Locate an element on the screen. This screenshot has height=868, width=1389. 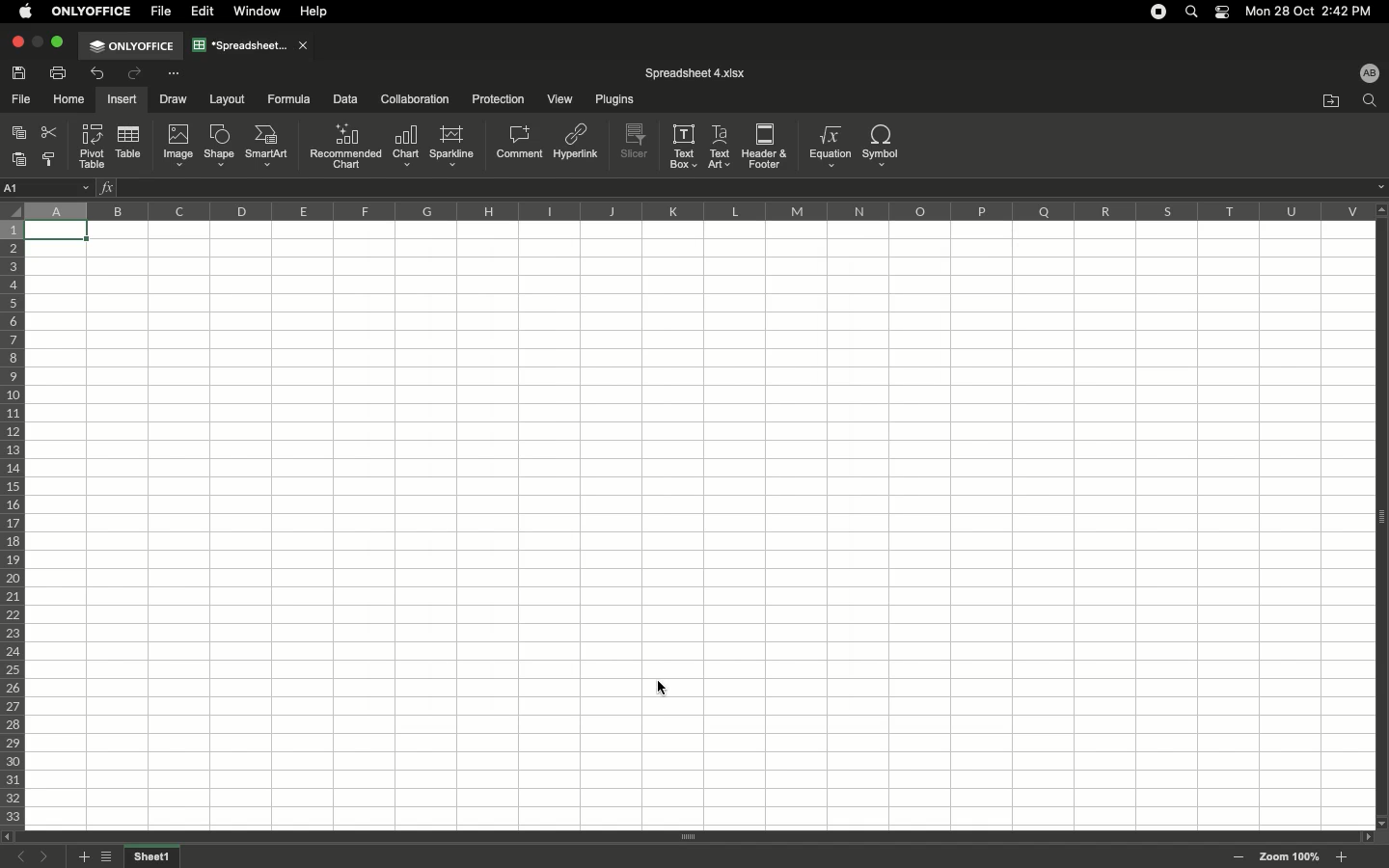
Apple logo is located at coordinates (26, 11).